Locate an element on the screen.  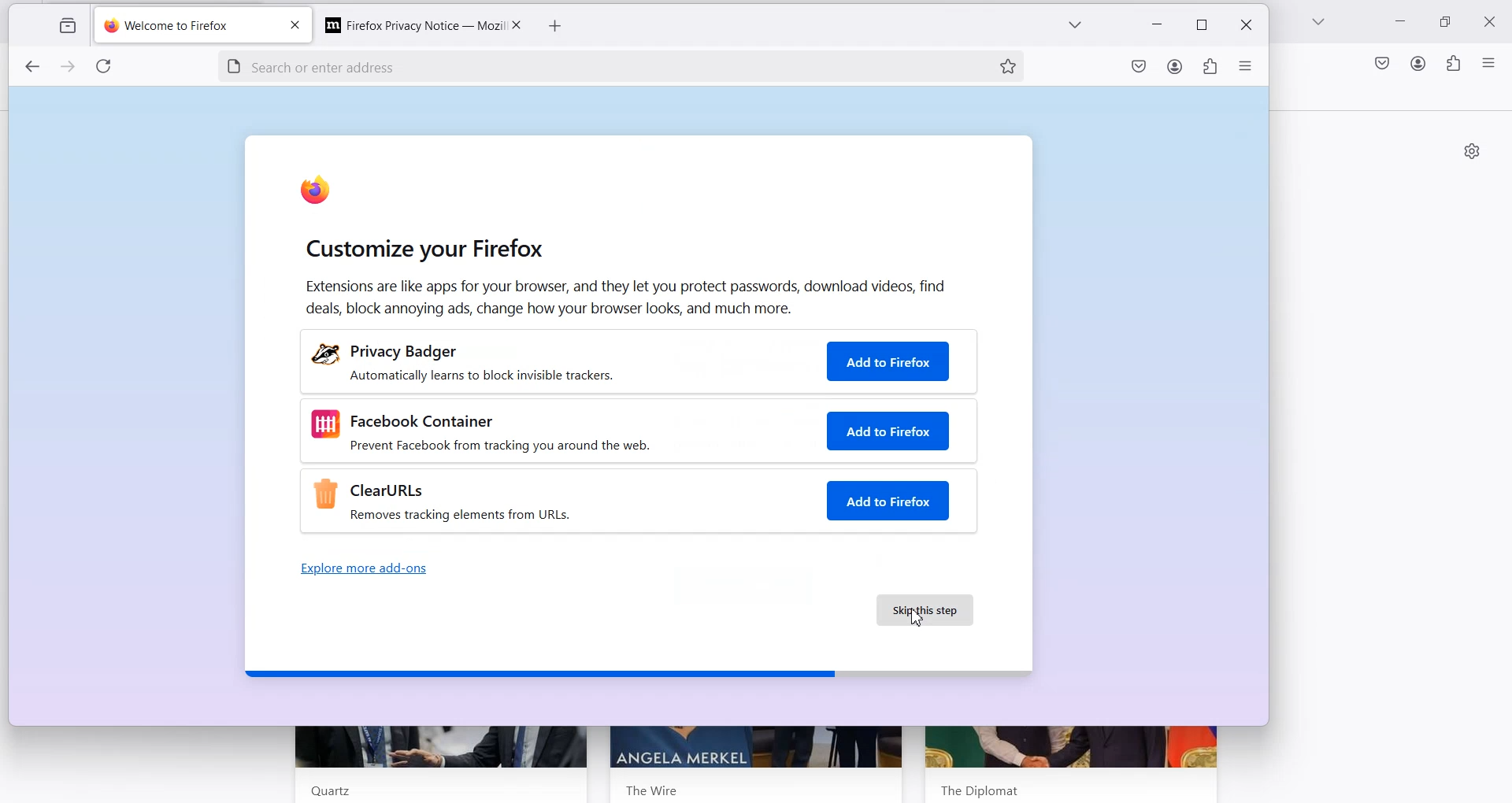
account is located at coordinates (1175, 68).